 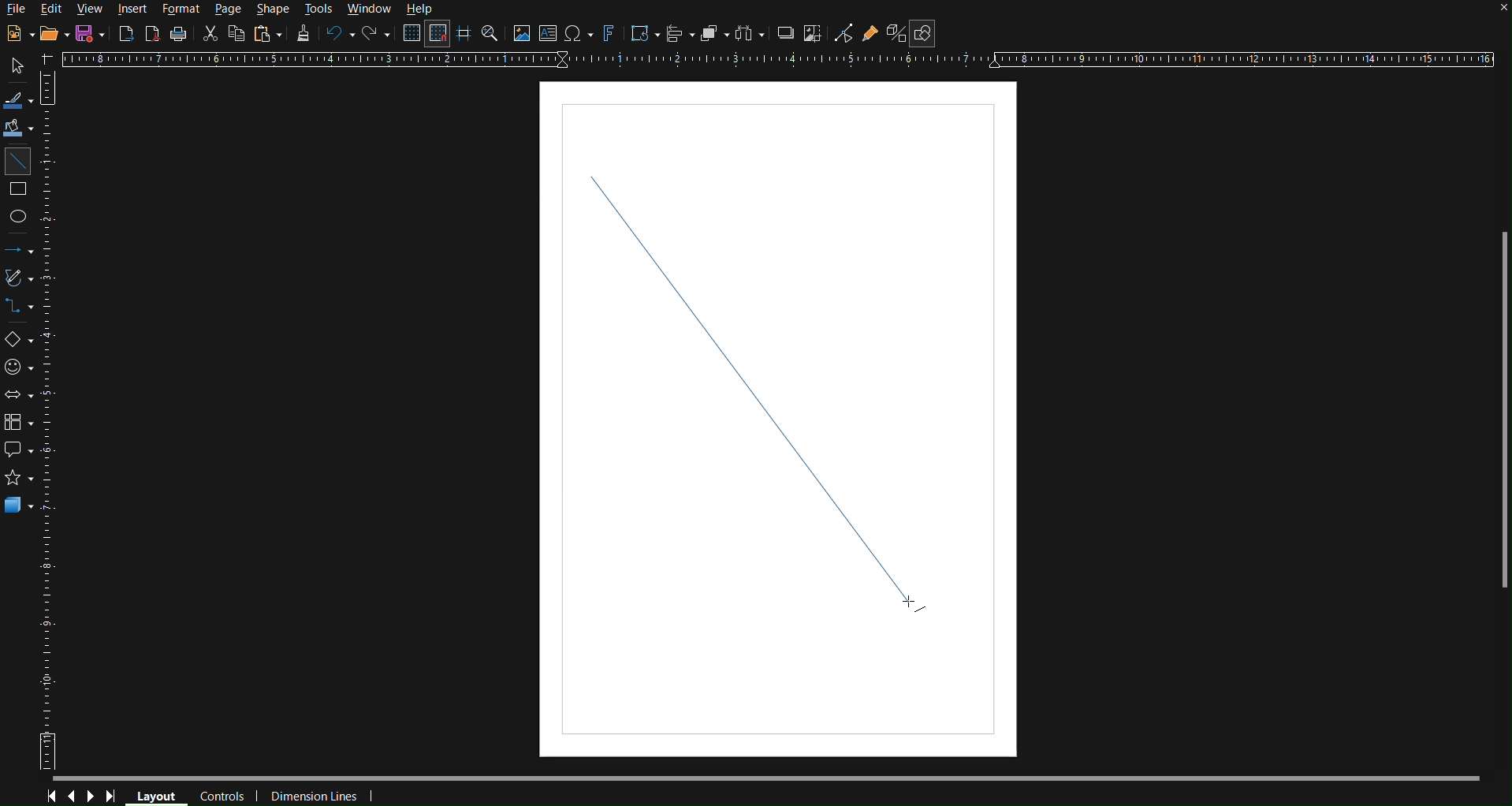 I want to click on Arrange, so click(x=717, y=33).